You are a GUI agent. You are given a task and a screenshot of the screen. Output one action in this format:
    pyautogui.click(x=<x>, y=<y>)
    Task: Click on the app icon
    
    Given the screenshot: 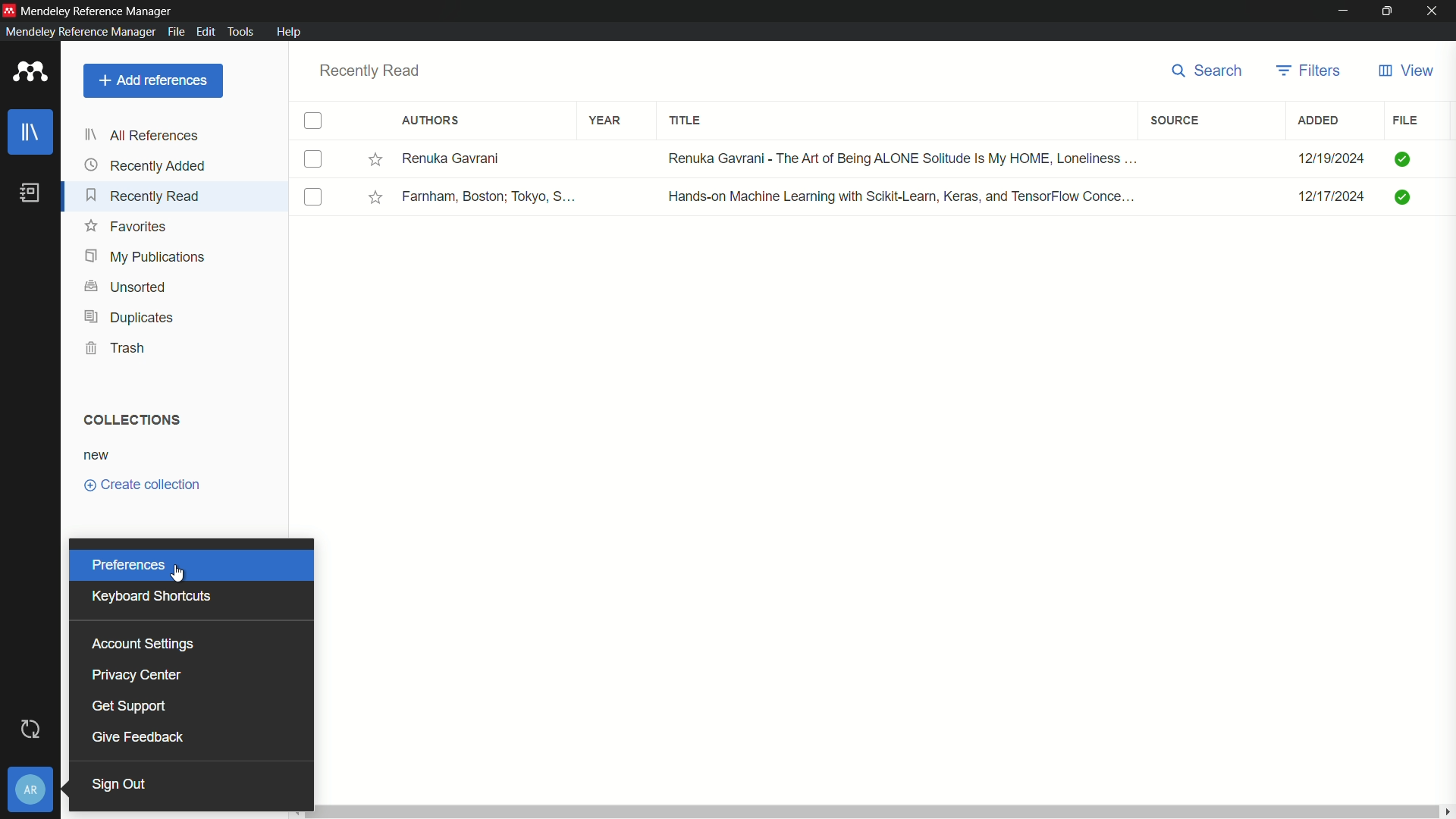 What is the action you would take?
    pyautogui.click(x=9, y=11)
    